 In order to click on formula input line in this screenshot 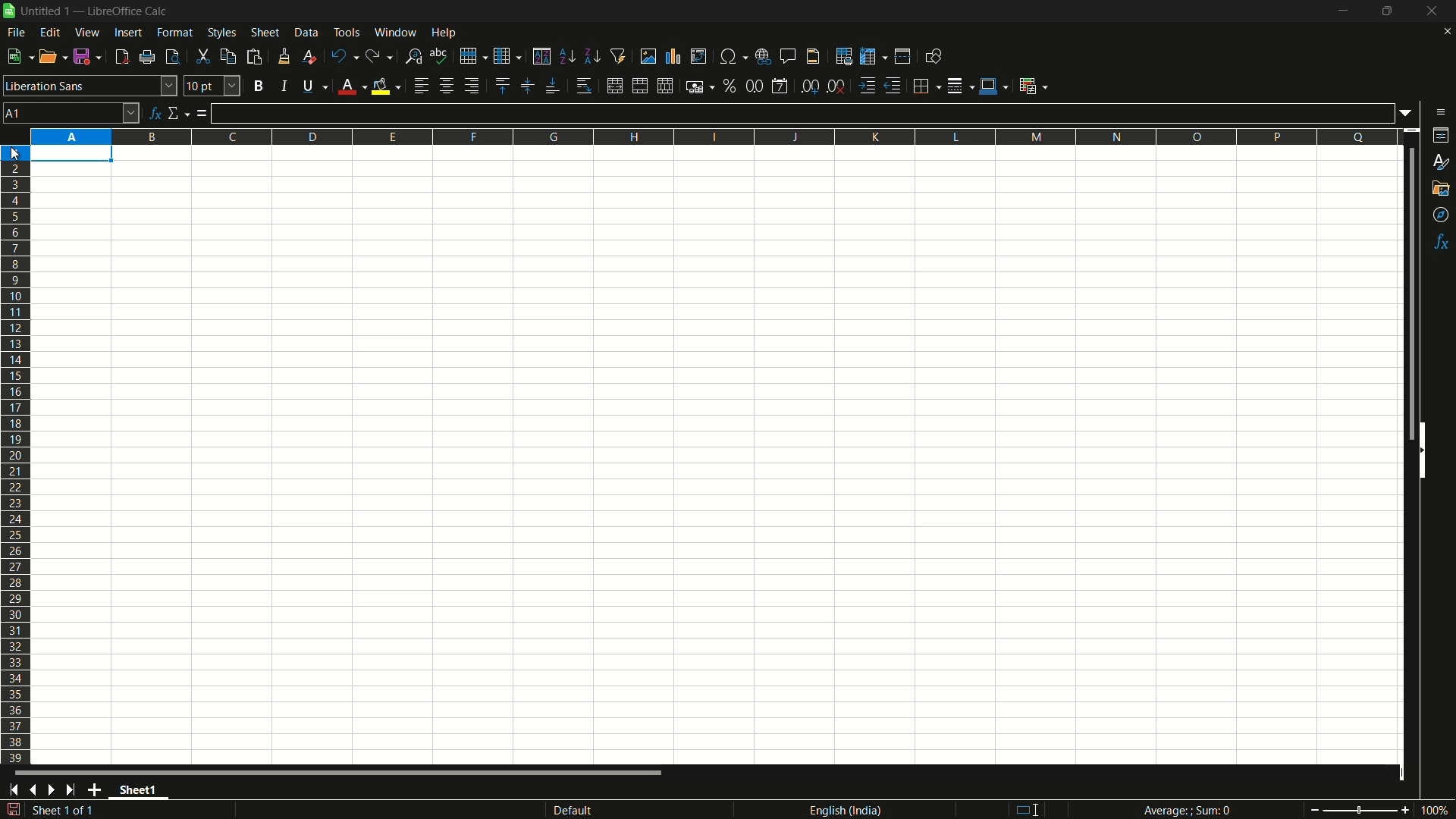, I will do `click(802, 113)`.